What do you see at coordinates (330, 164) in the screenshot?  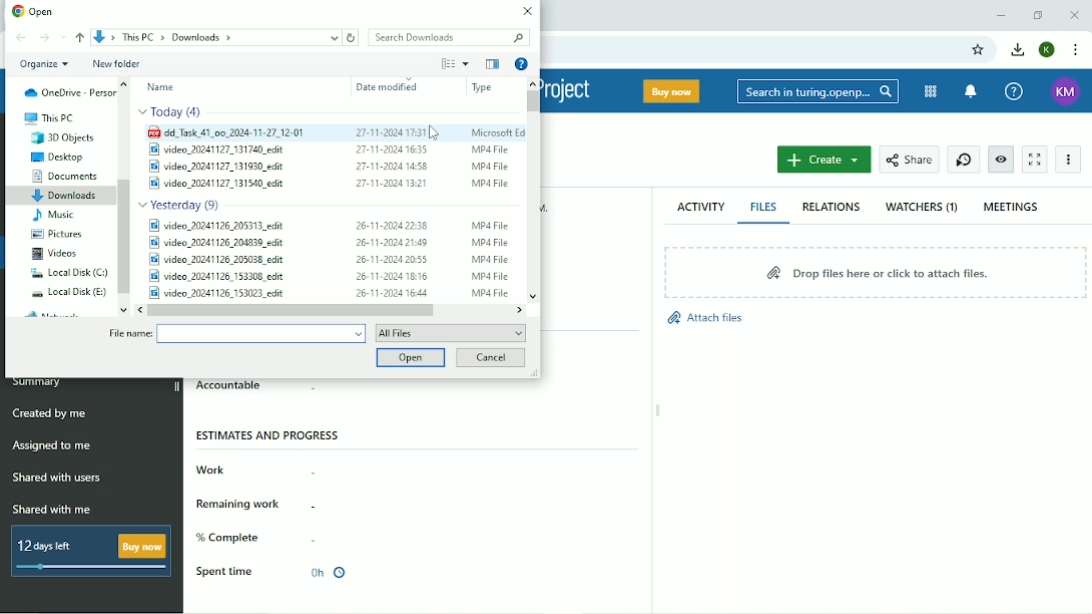 I see `video file` at bounding box center [330, 164].